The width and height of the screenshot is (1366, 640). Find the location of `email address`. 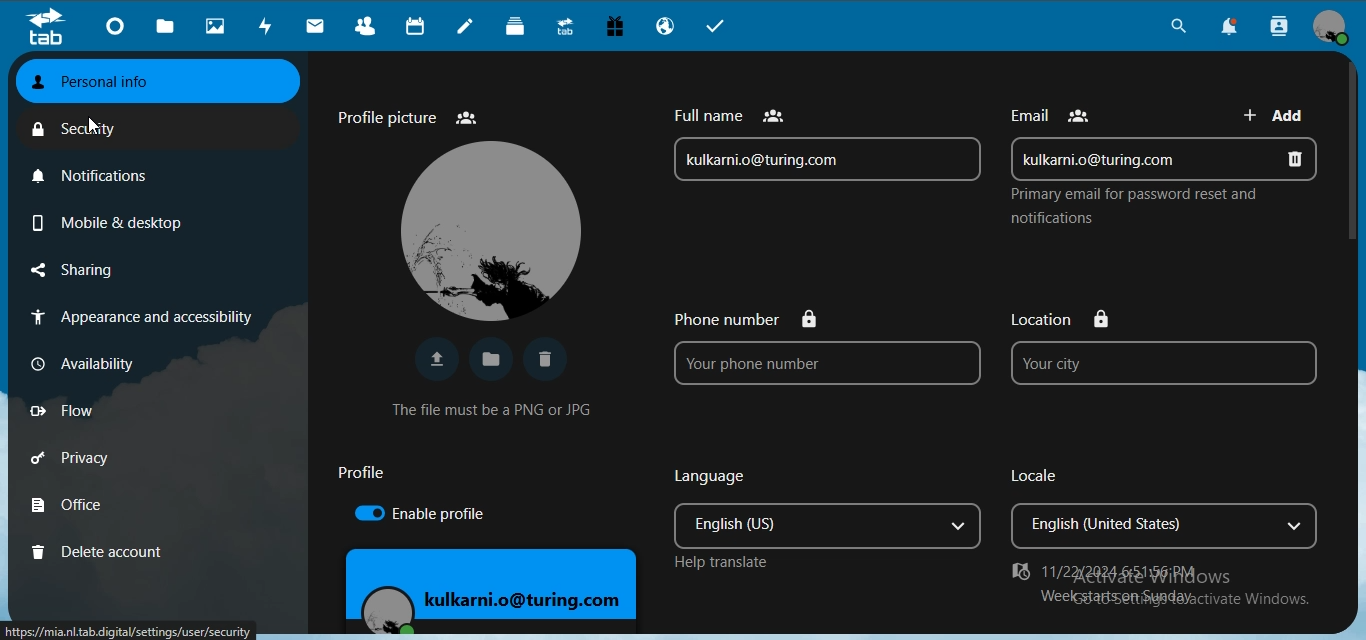

email address is located at coordinates (508, 606).